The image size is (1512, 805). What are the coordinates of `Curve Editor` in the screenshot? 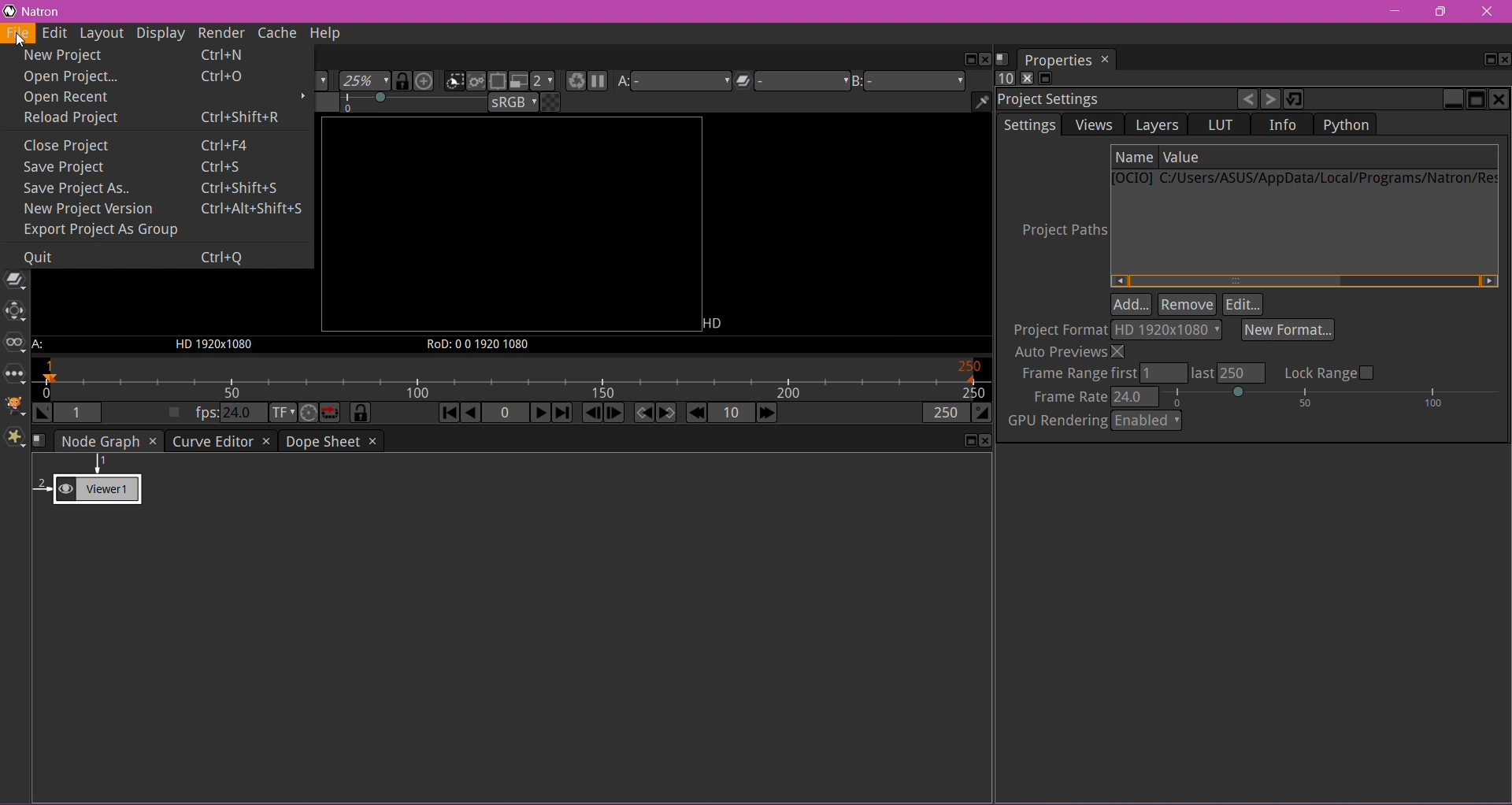 It's located at (212, 441).